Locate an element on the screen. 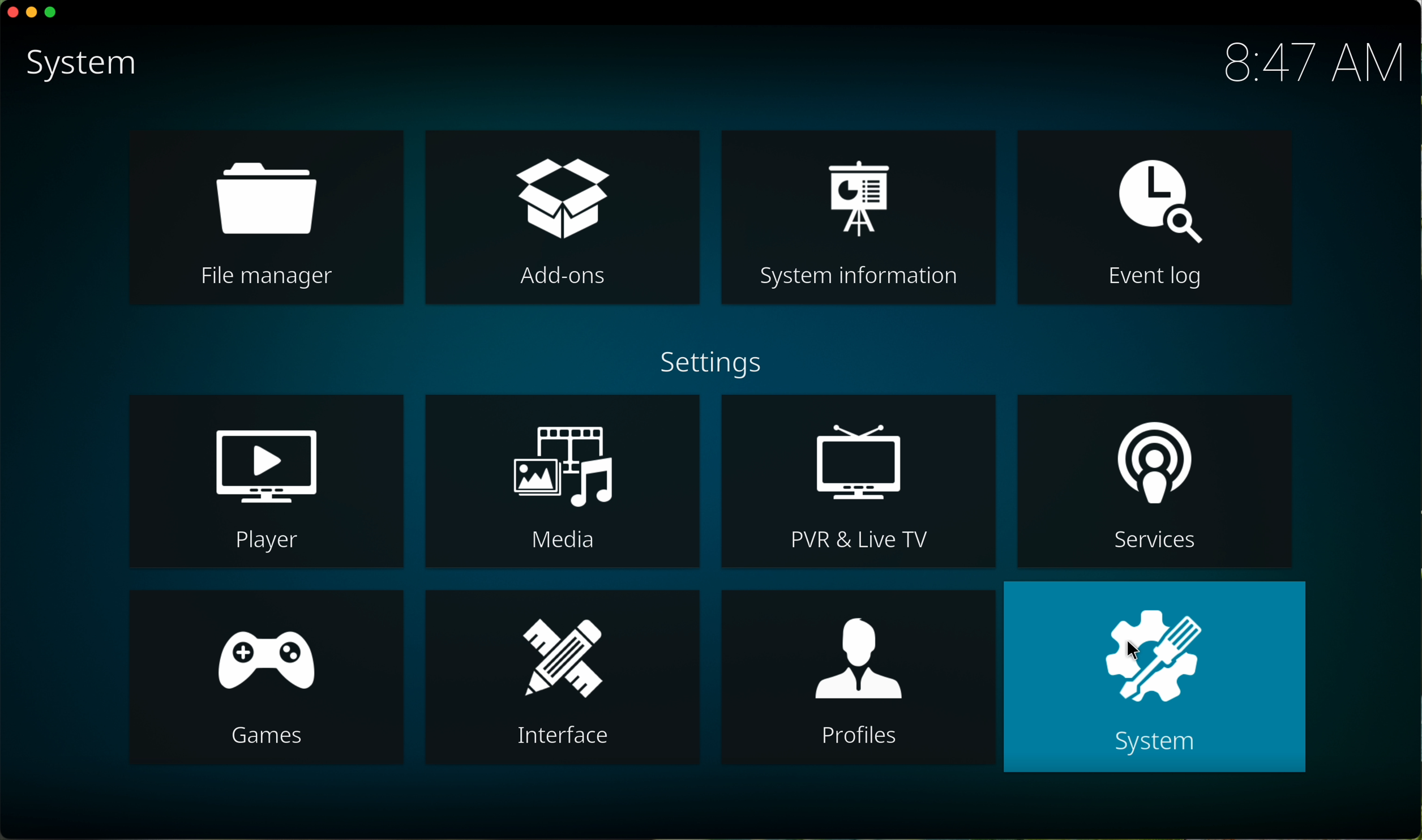 Image resolution: width=1422 pixels, height=840 pixels. profiles is located at coordinates (858, 679).